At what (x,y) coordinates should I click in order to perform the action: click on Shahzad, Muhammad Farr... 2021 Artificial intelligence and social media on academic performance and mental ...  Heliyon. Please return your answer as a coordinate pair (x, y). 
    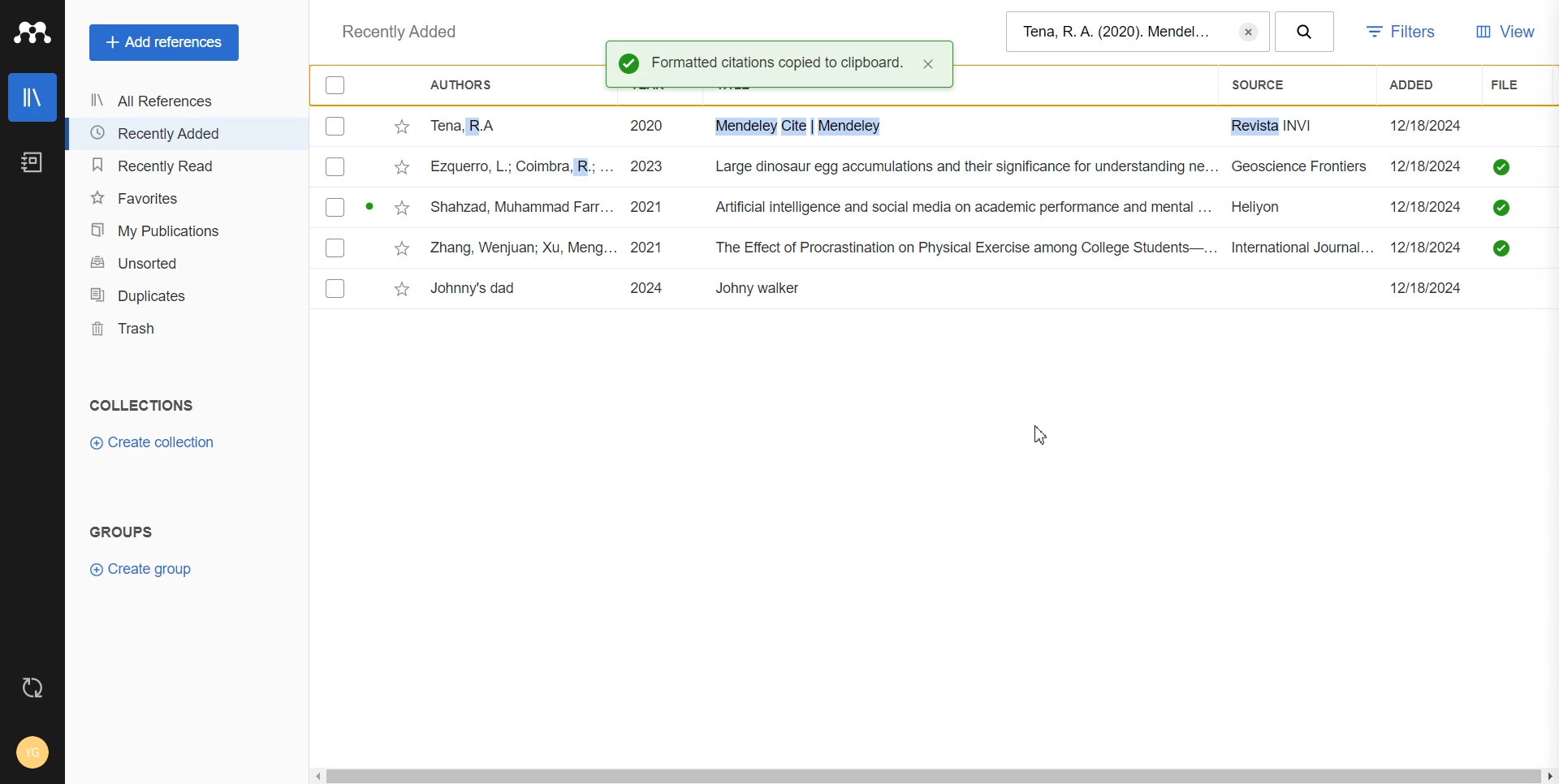
    Looking at the image, I should click on (900, 205).